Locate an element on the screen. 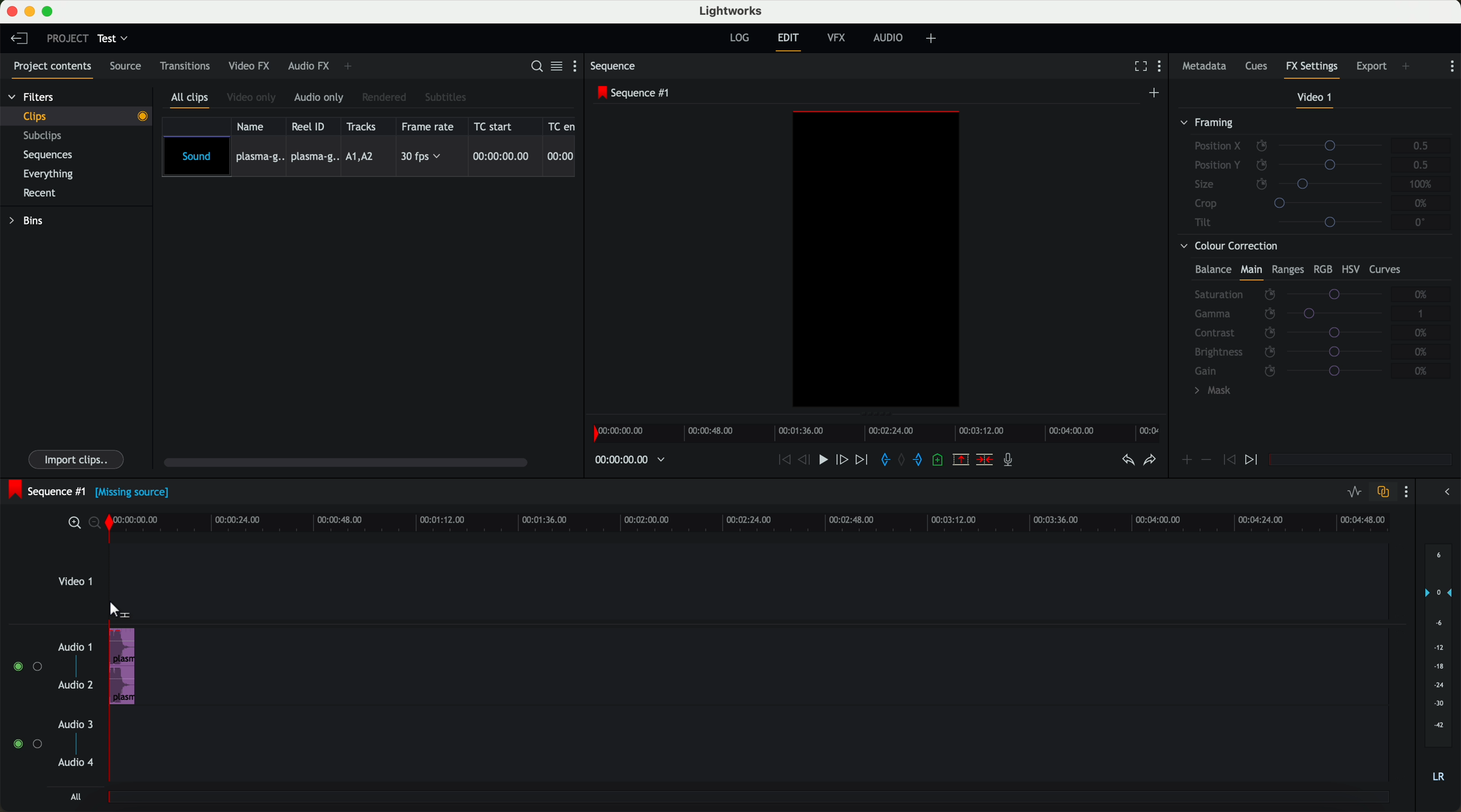 The image size is (1461, 812). sequence #1 is located at coordinates (635, 94).